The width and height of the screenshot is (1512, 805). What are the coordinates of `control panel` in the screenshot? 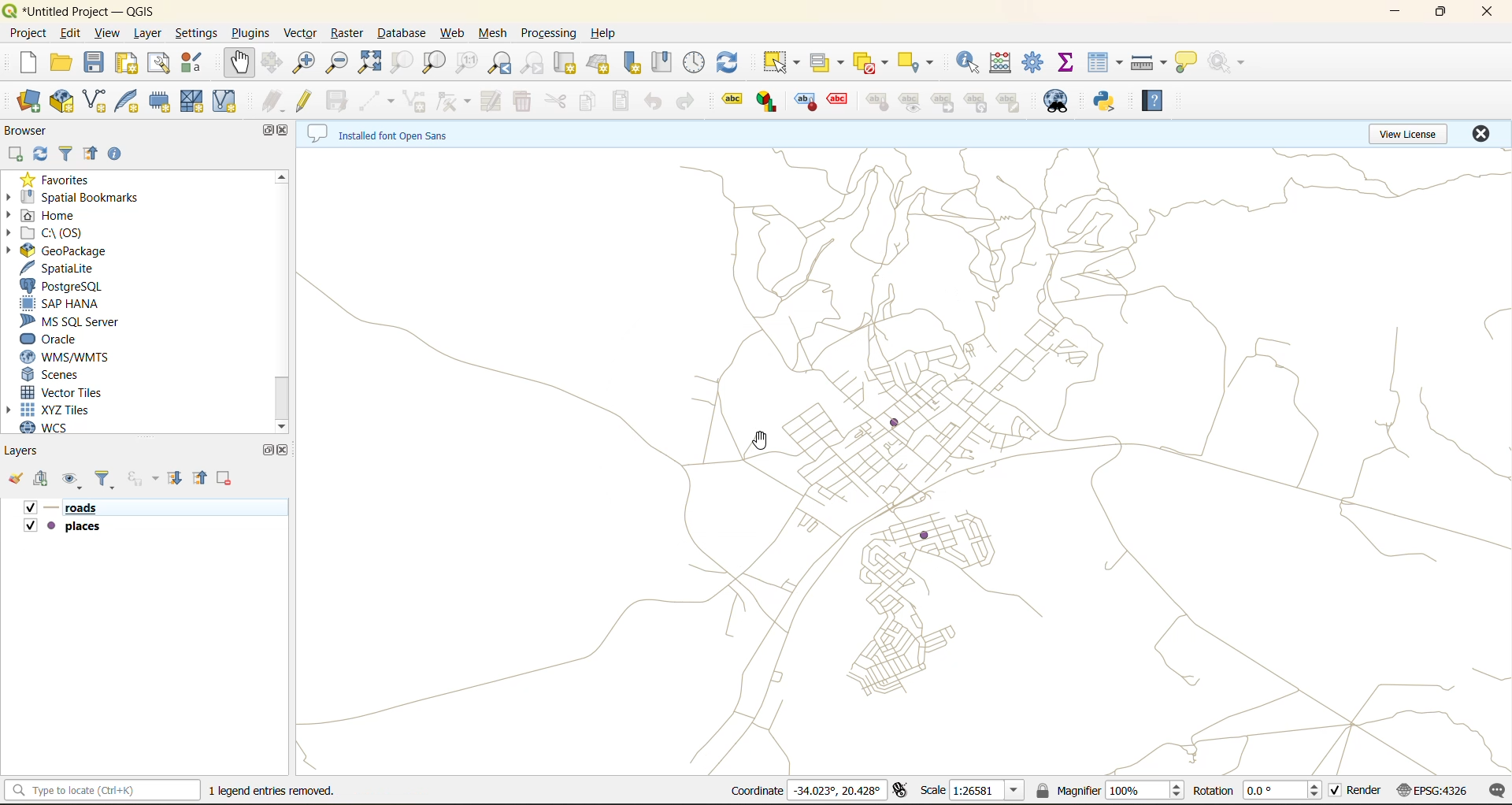 It's located at (697, 62).